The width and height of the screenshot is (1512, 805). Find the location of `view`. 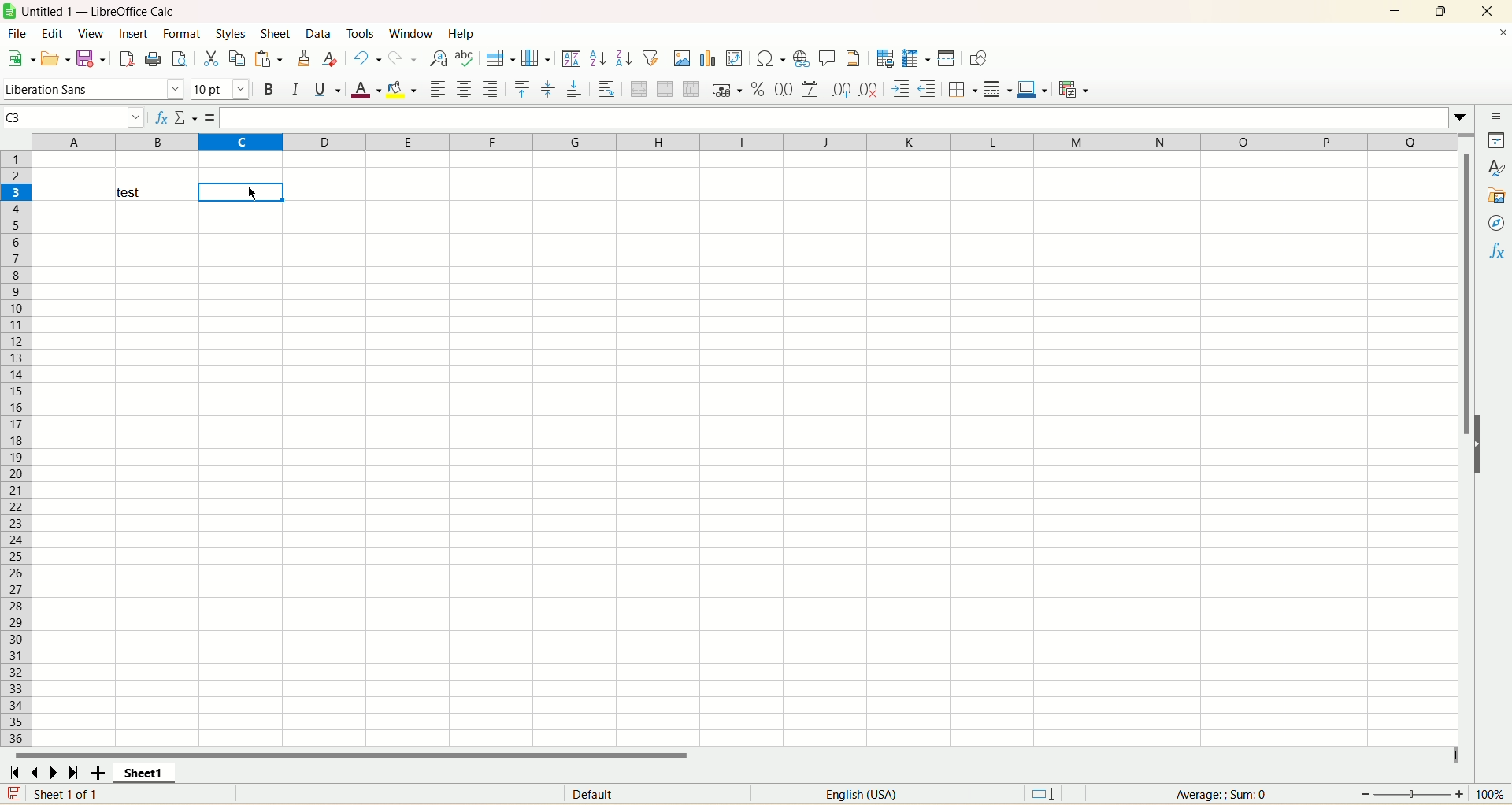

view is located at coordinates (91, 34).